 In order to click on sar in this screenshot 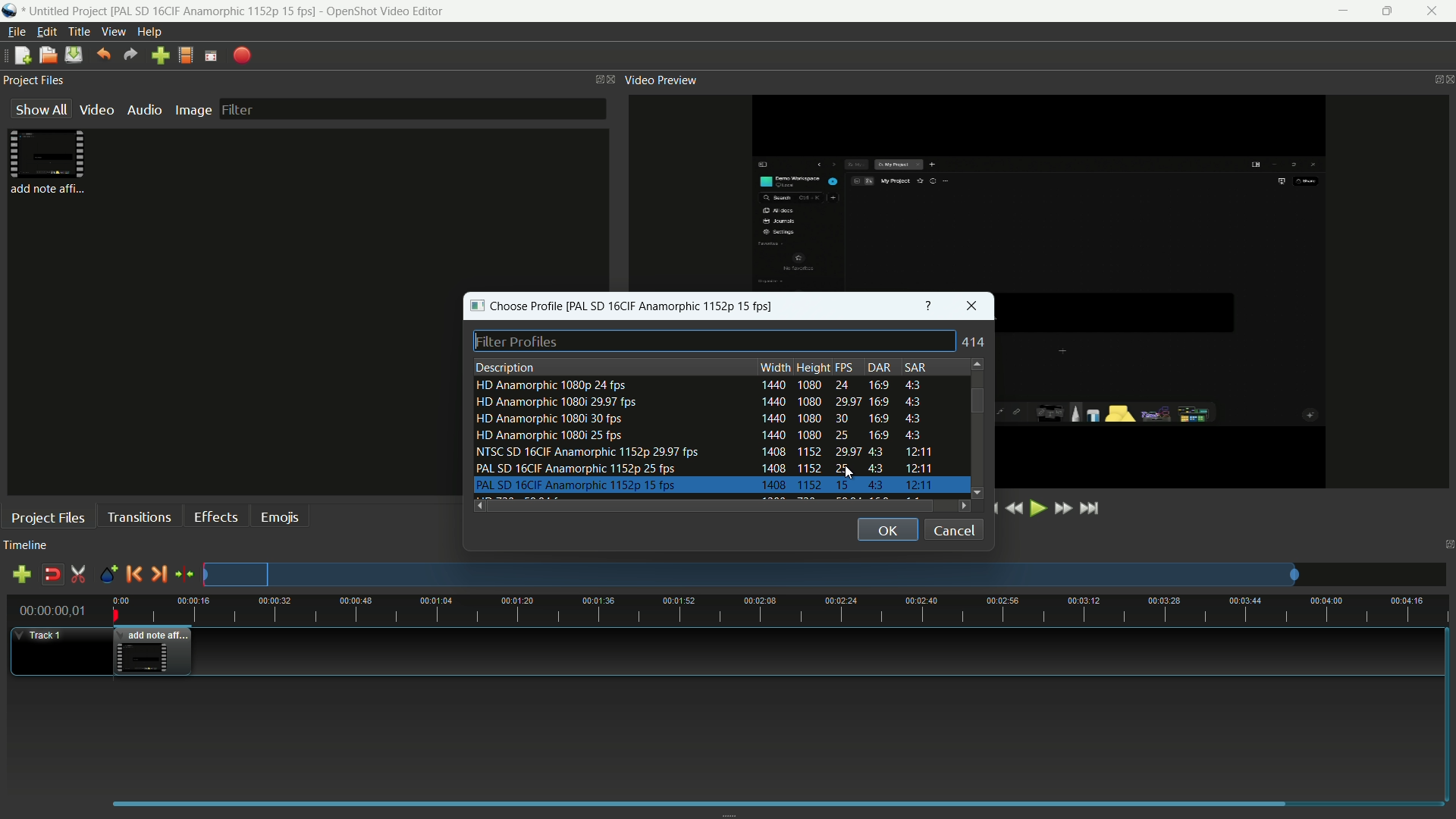, I will do `click(918, 366)`.